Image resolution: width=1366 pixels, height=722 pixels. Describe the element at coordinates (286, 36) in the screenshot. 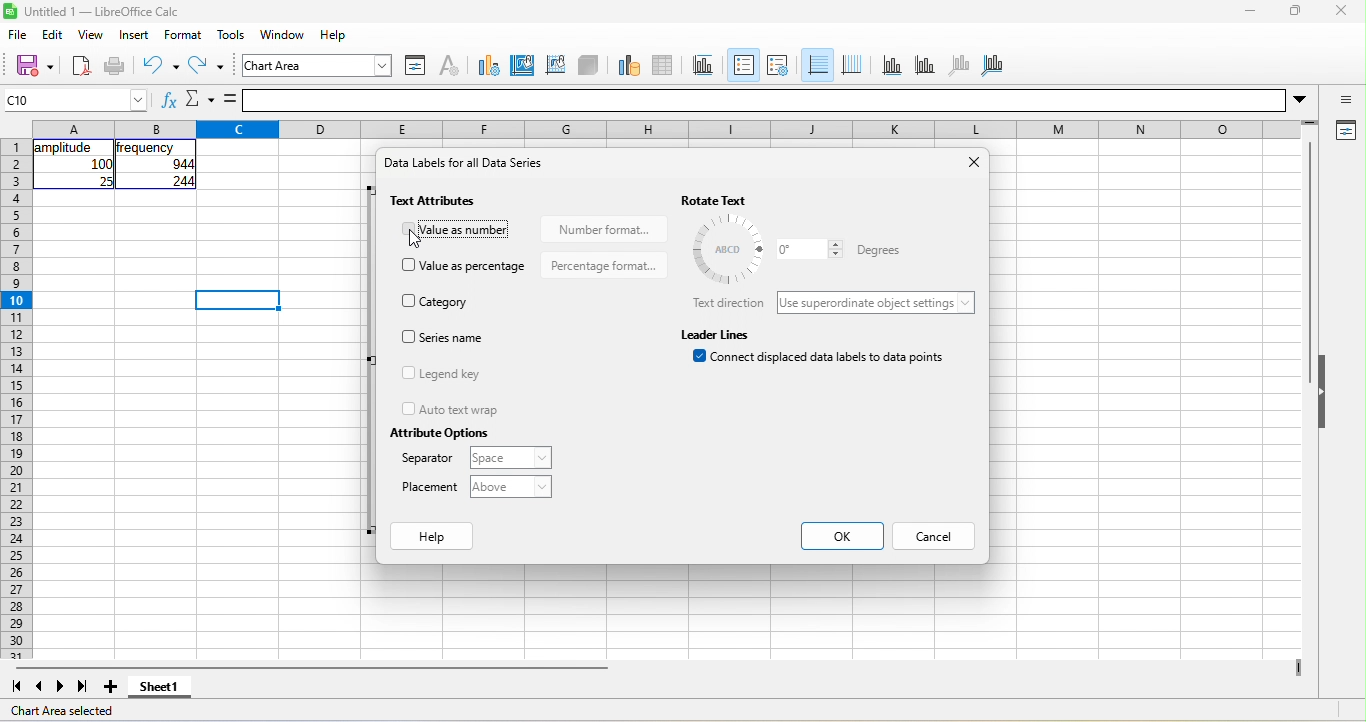

I see `window` at that location.